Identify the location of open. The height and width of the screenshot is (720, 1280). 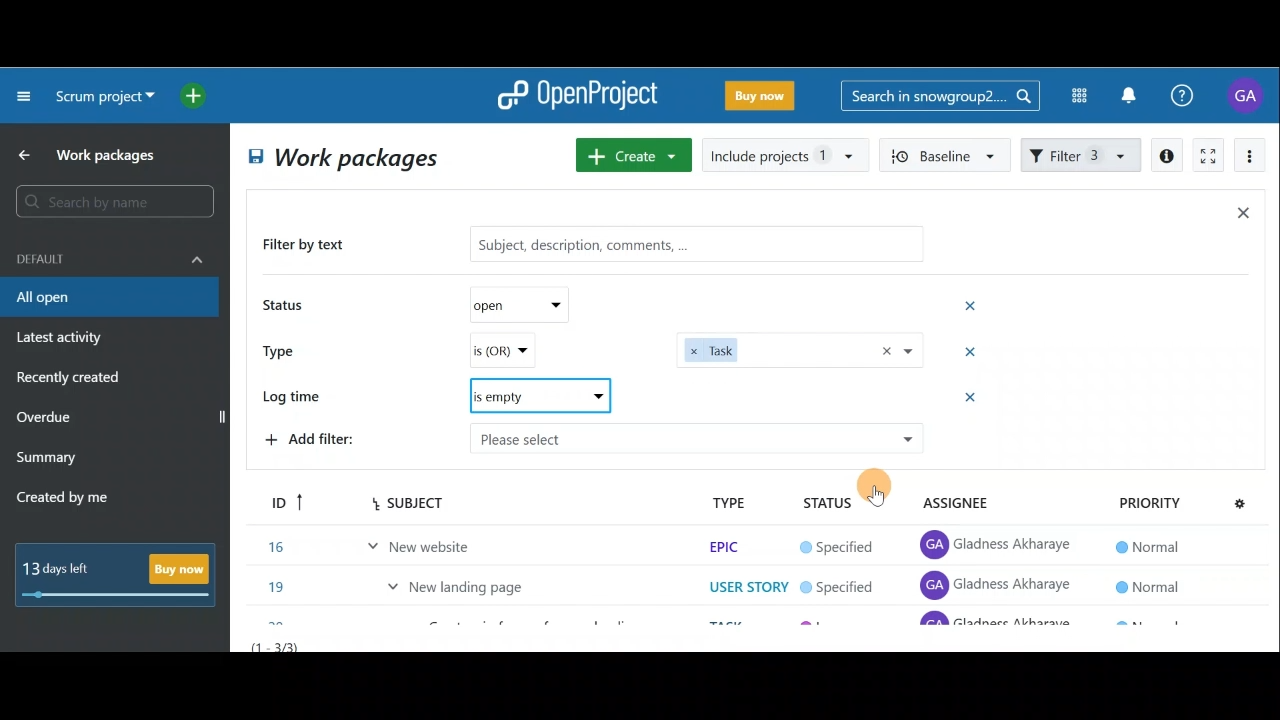
(528, 303).